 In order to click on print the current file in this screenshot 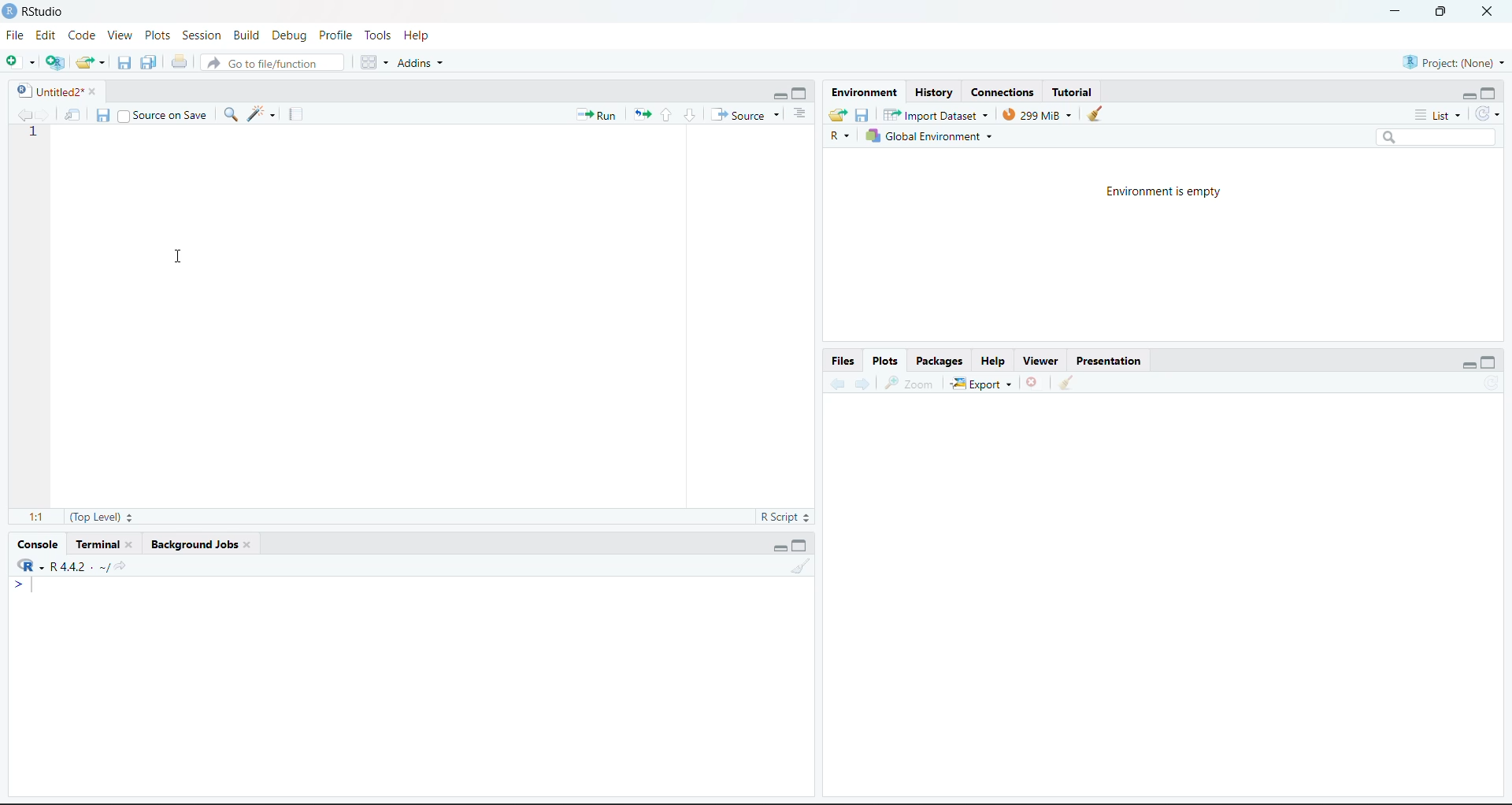, I will do `click(180, 62)`.